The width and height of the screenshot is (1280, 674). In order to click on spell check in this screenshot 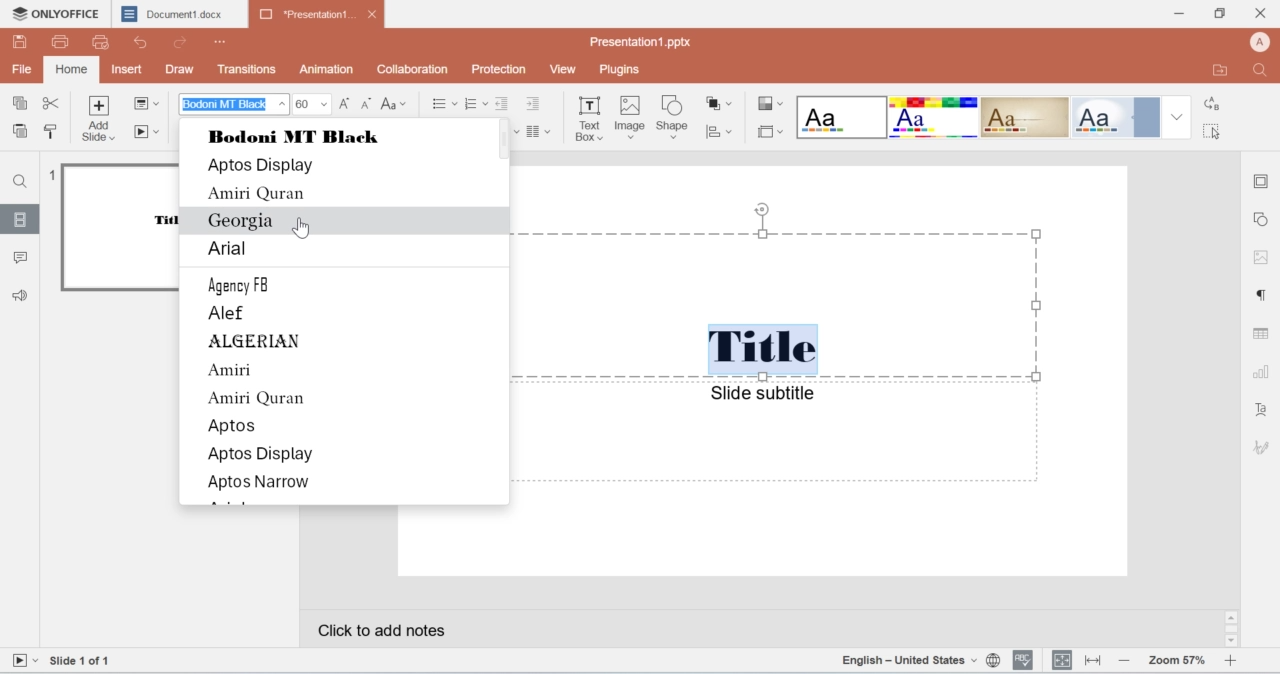, I will do `click(1023, 661)`.